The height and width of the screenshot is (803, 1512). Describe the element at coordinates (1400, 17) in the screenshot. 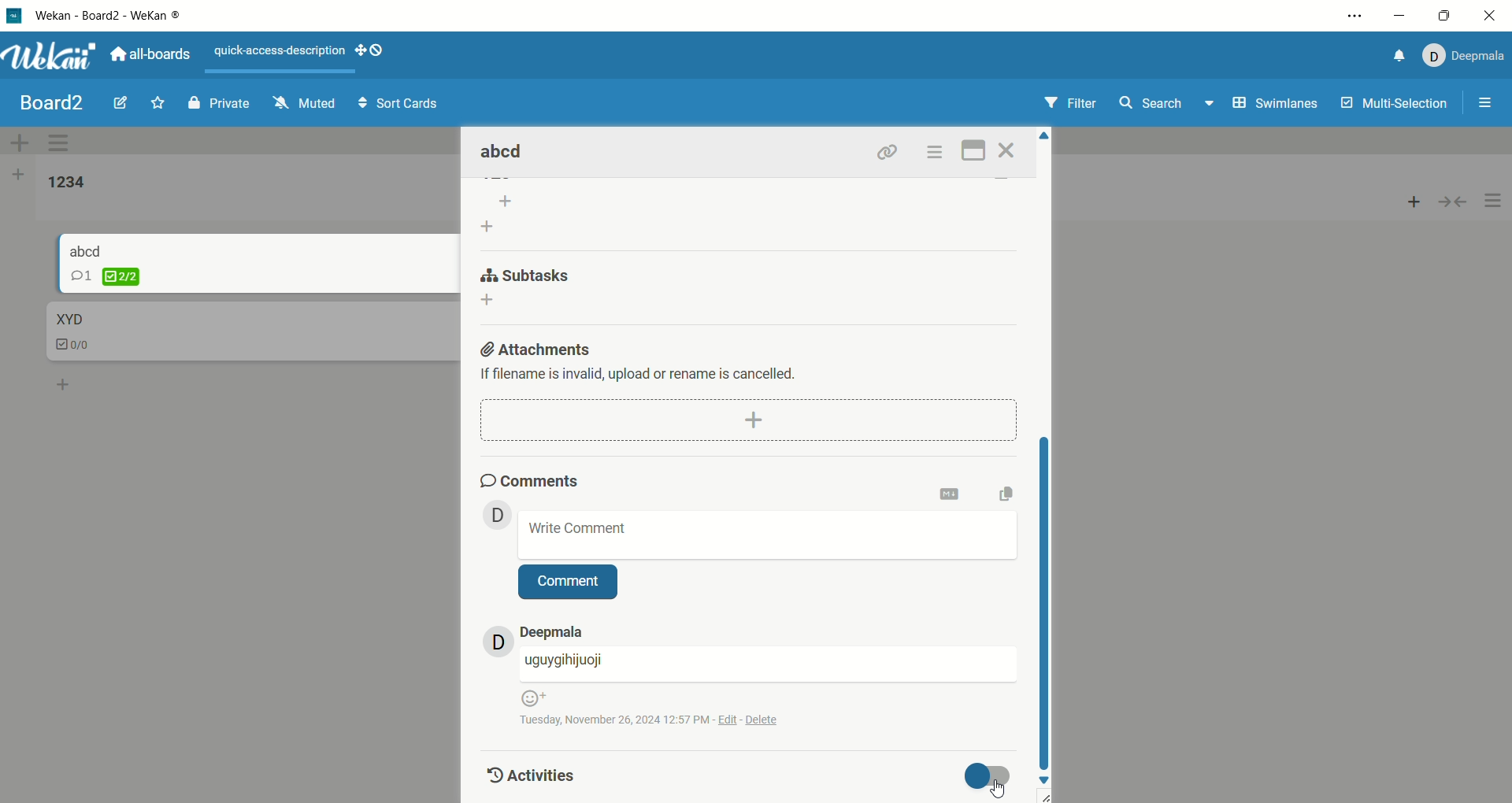

I see `minimize` at that location.